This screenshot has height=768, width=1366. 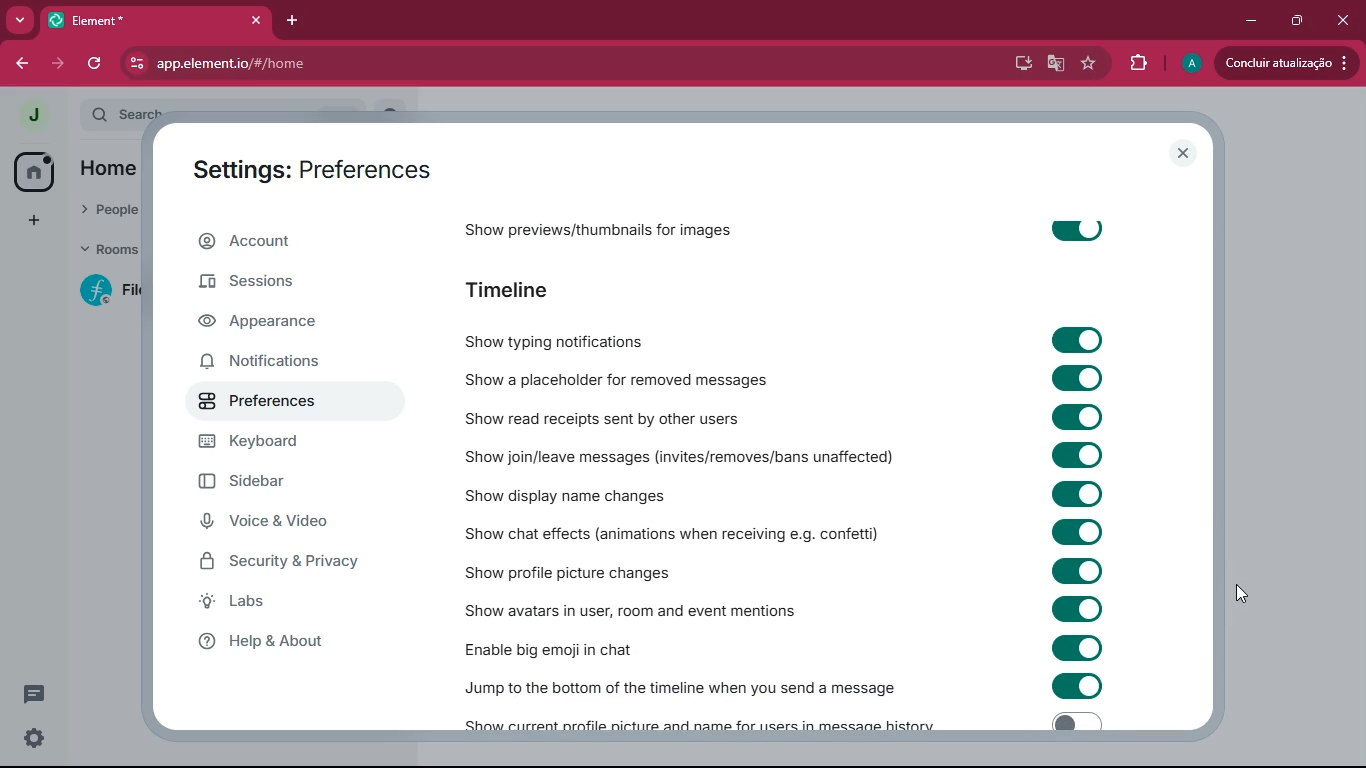 What do you see at coordinates (24, 115) in the screenshot?
I see `j` at bounding box center [24, 115].